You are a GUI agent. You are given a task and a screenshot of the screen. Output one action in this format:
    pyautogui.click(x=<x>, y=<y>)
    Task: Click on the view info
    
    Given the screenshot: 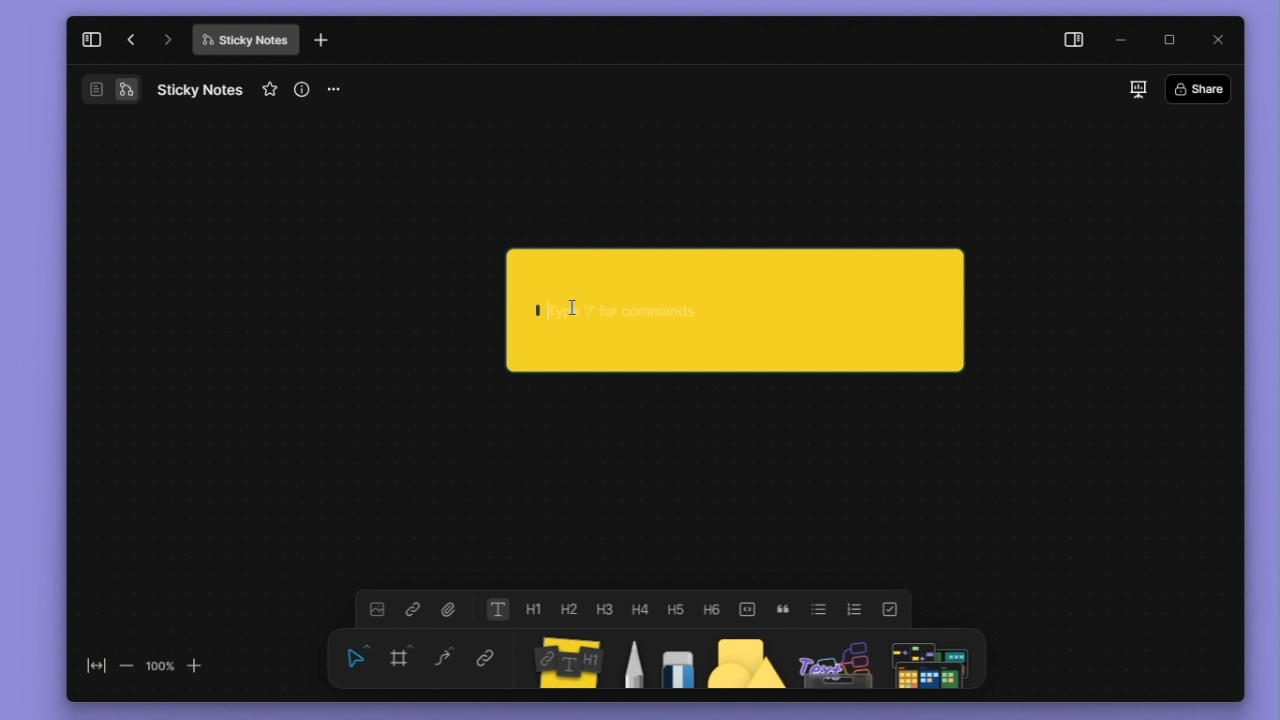 What is the action you would take?
    pyautogui.click(x=301, y=89)
    